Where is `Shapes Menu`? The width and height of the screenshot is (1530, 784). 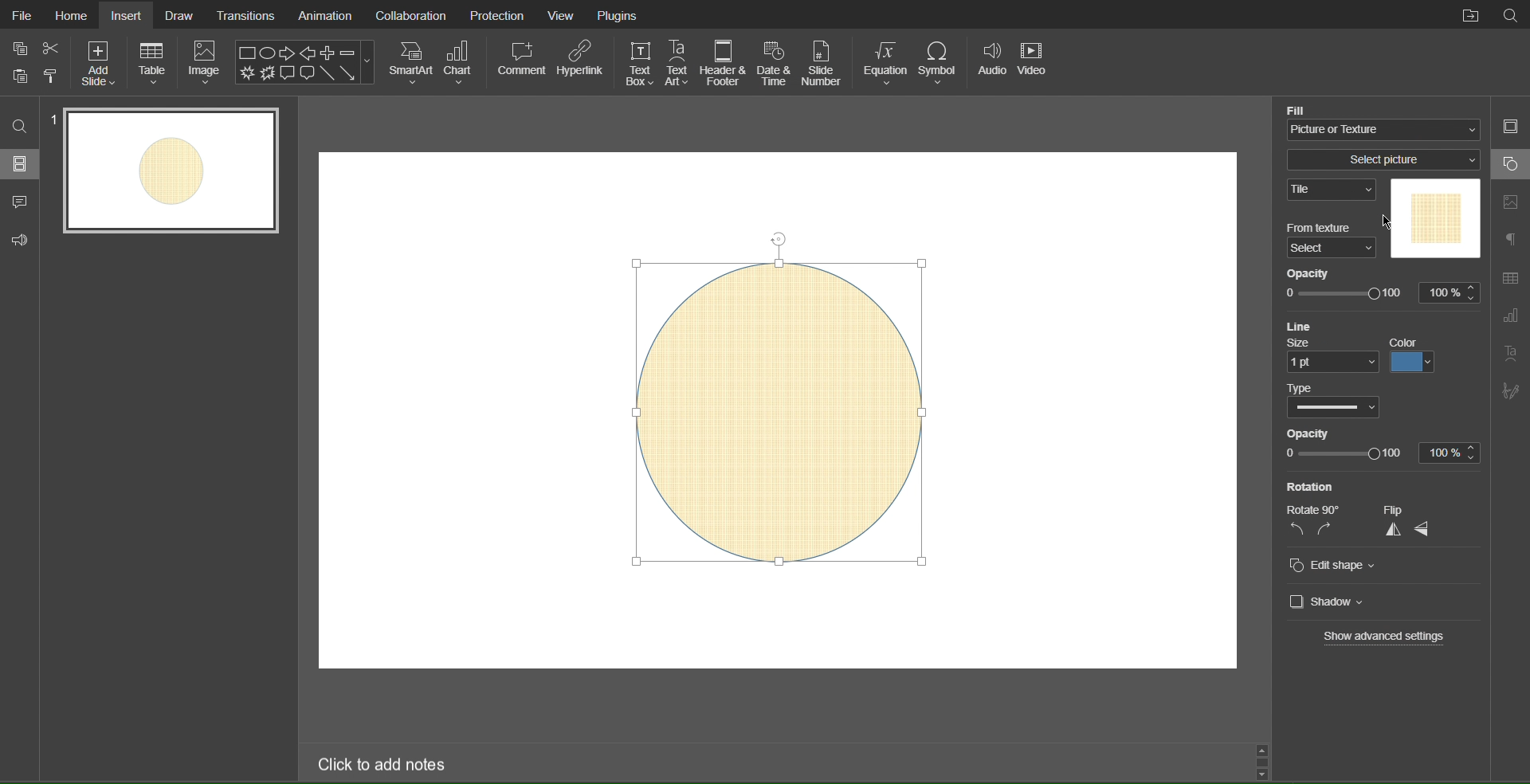
Shapes Menu is located at coordinates (304, 62).